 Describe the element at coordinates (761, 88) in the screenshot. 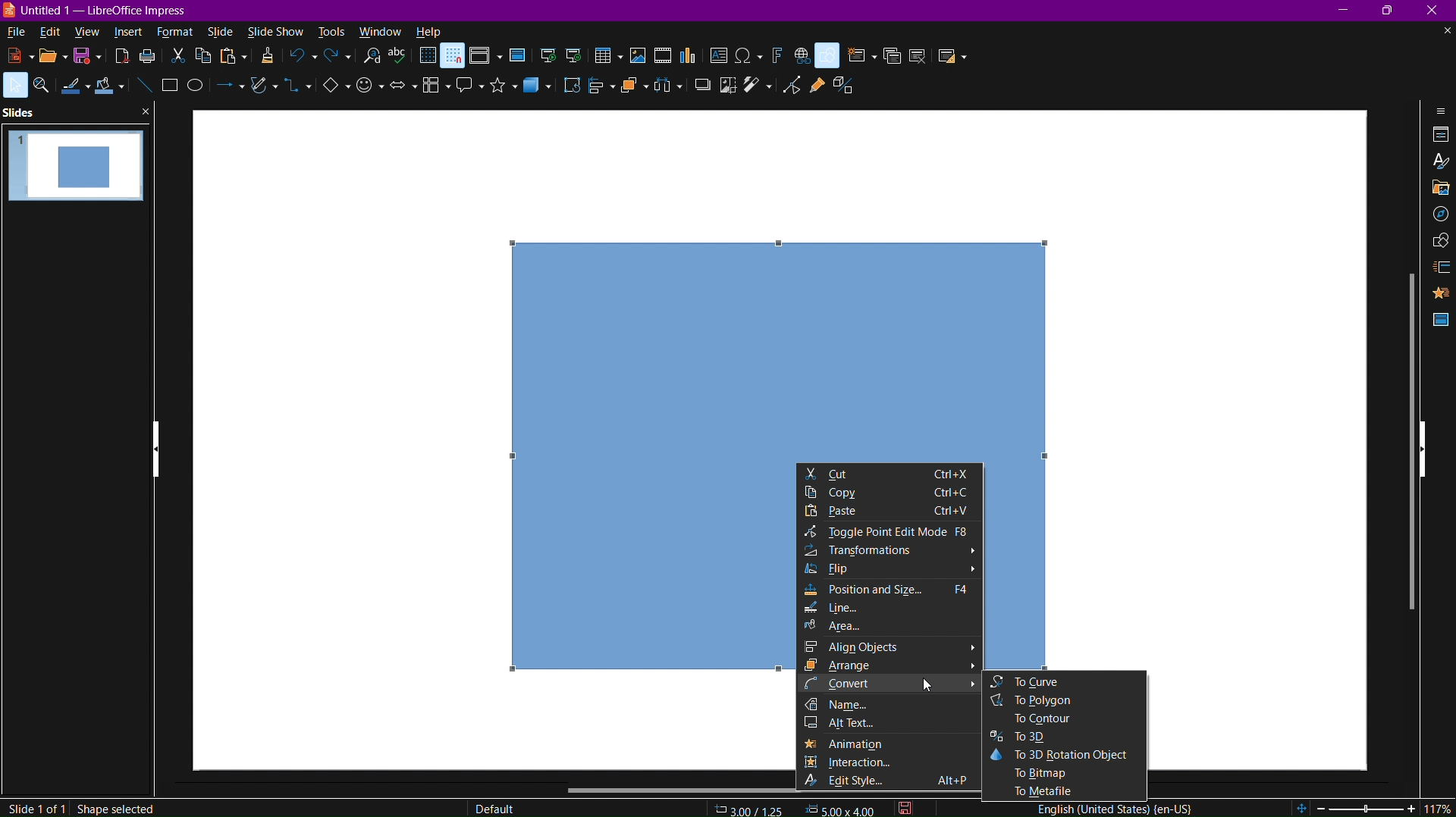

I see `Filter` at that location.